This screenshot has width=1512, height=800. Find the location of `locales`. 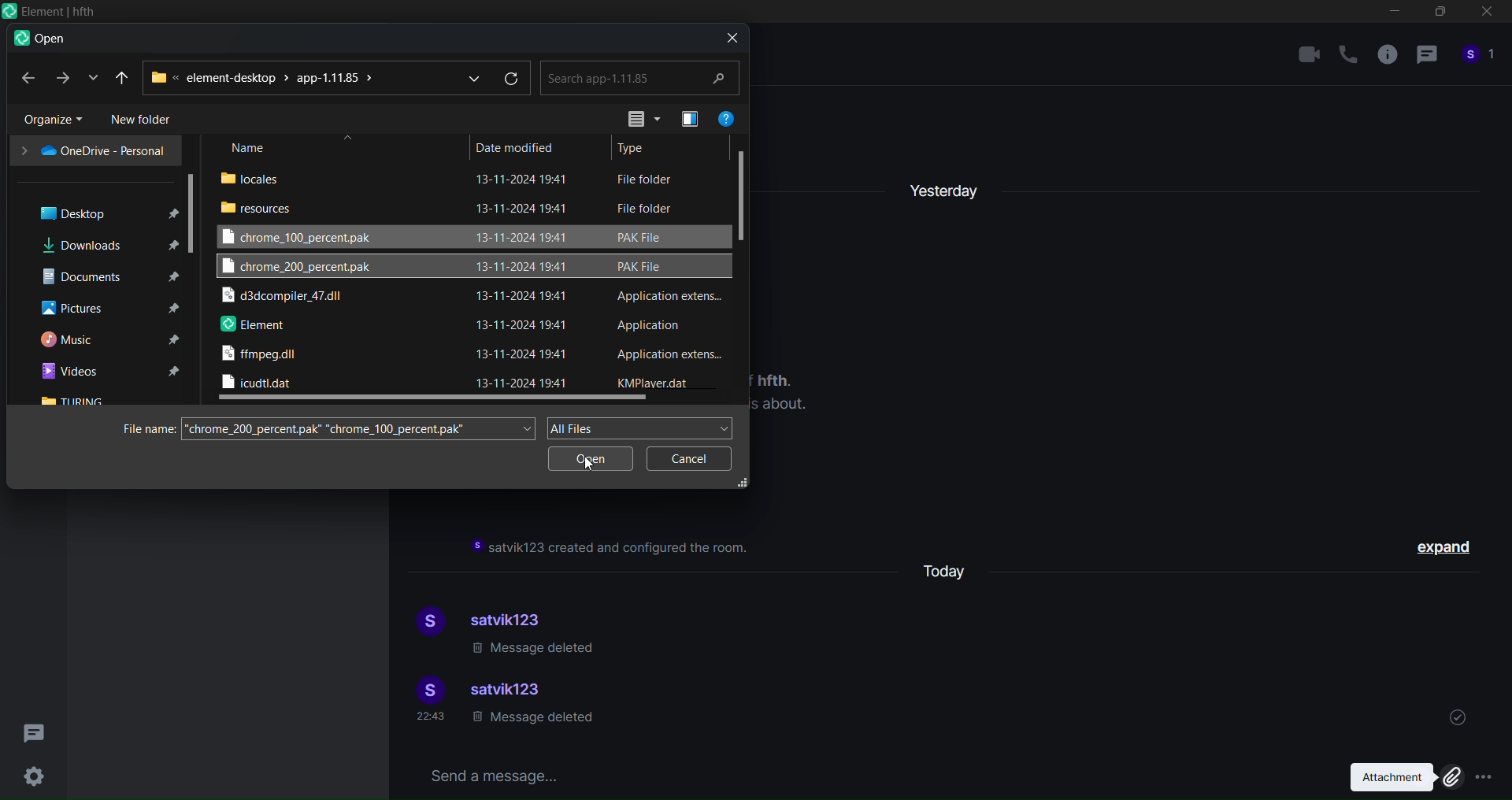

locales is located at coordinates (257, 177).